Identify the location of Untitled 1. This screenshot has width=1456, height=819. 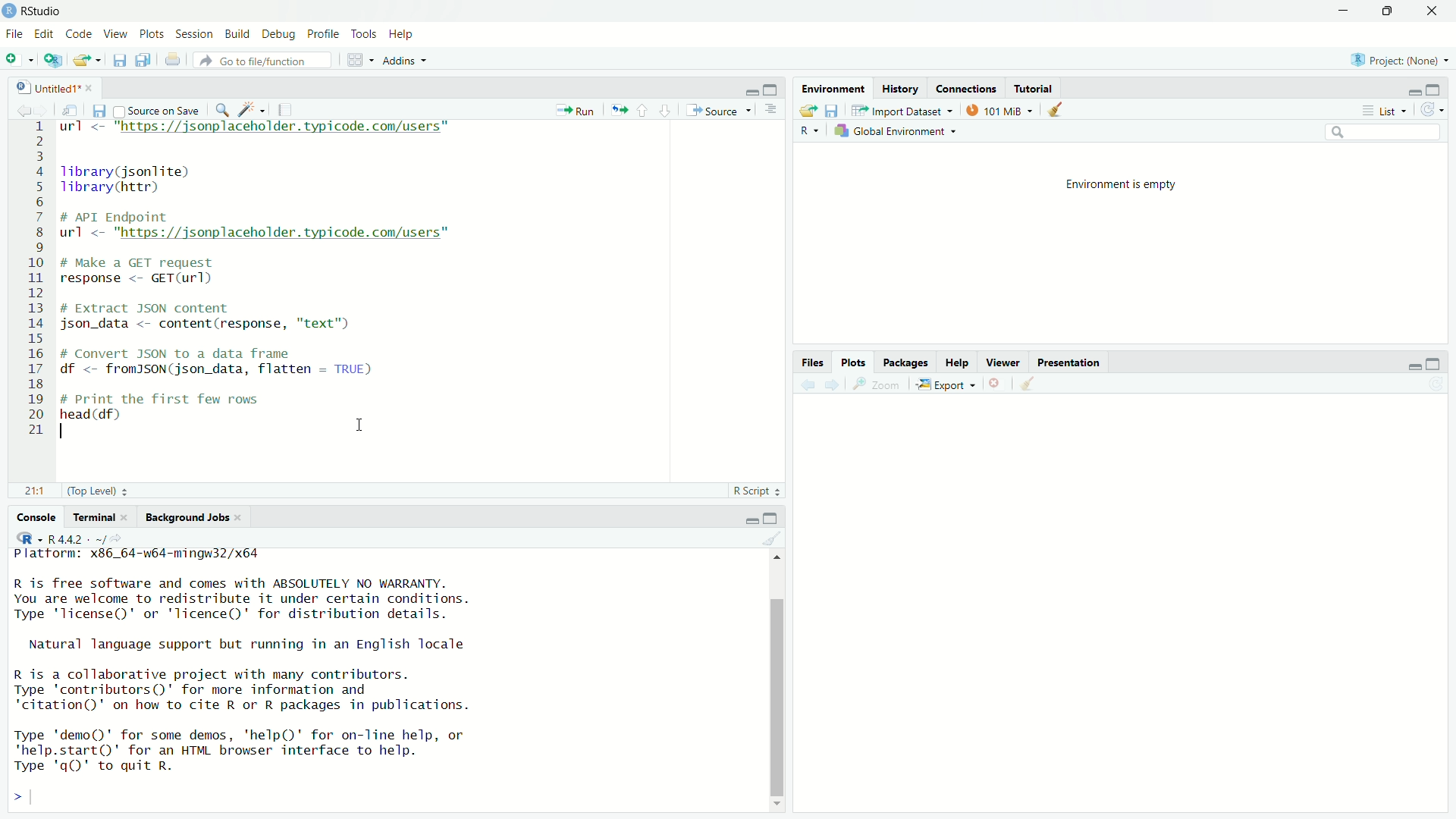
(55, 88).